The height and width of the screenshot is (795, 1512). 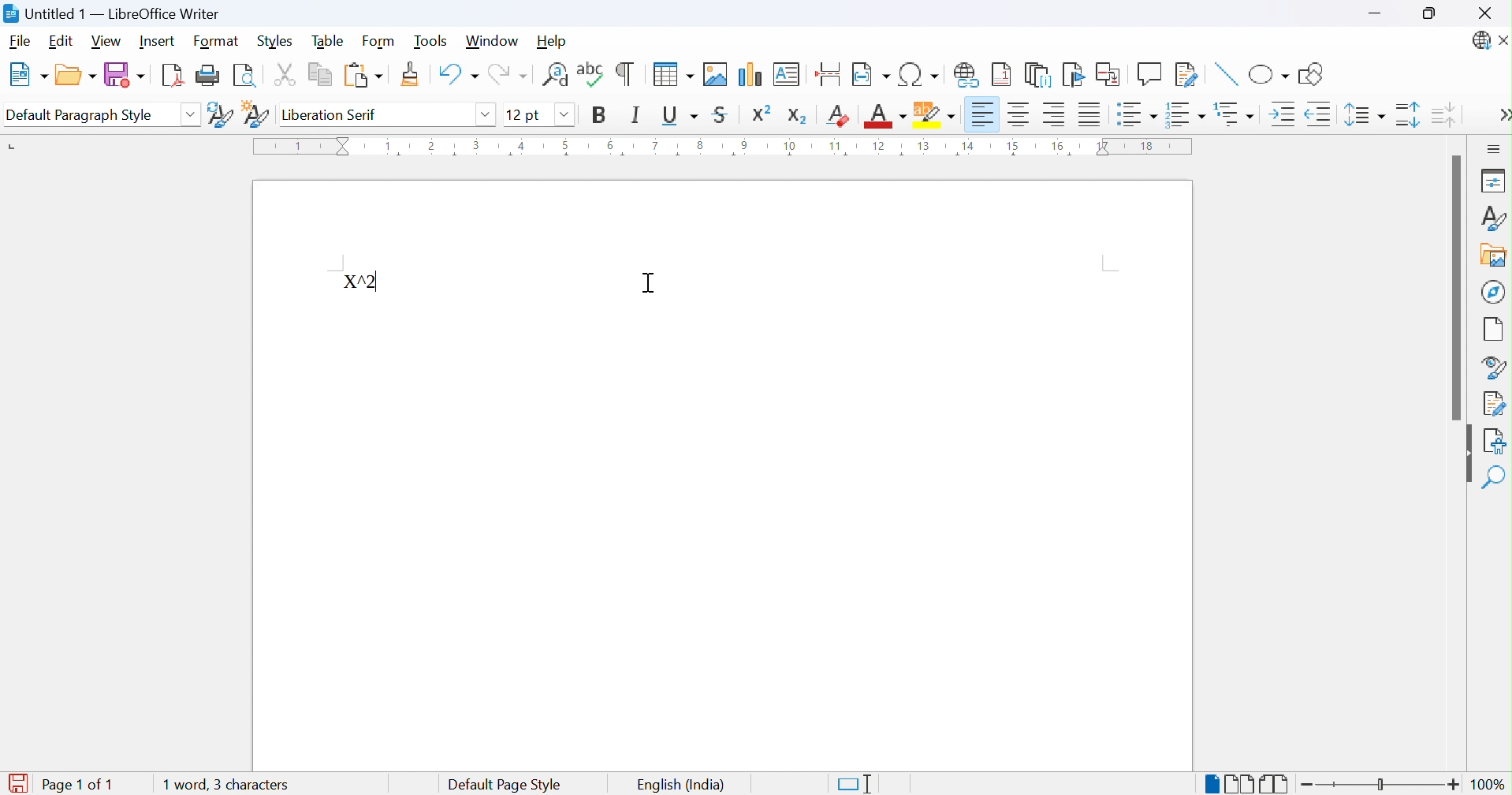 I want to click on Strikethrough, so click(x=722, y=114).